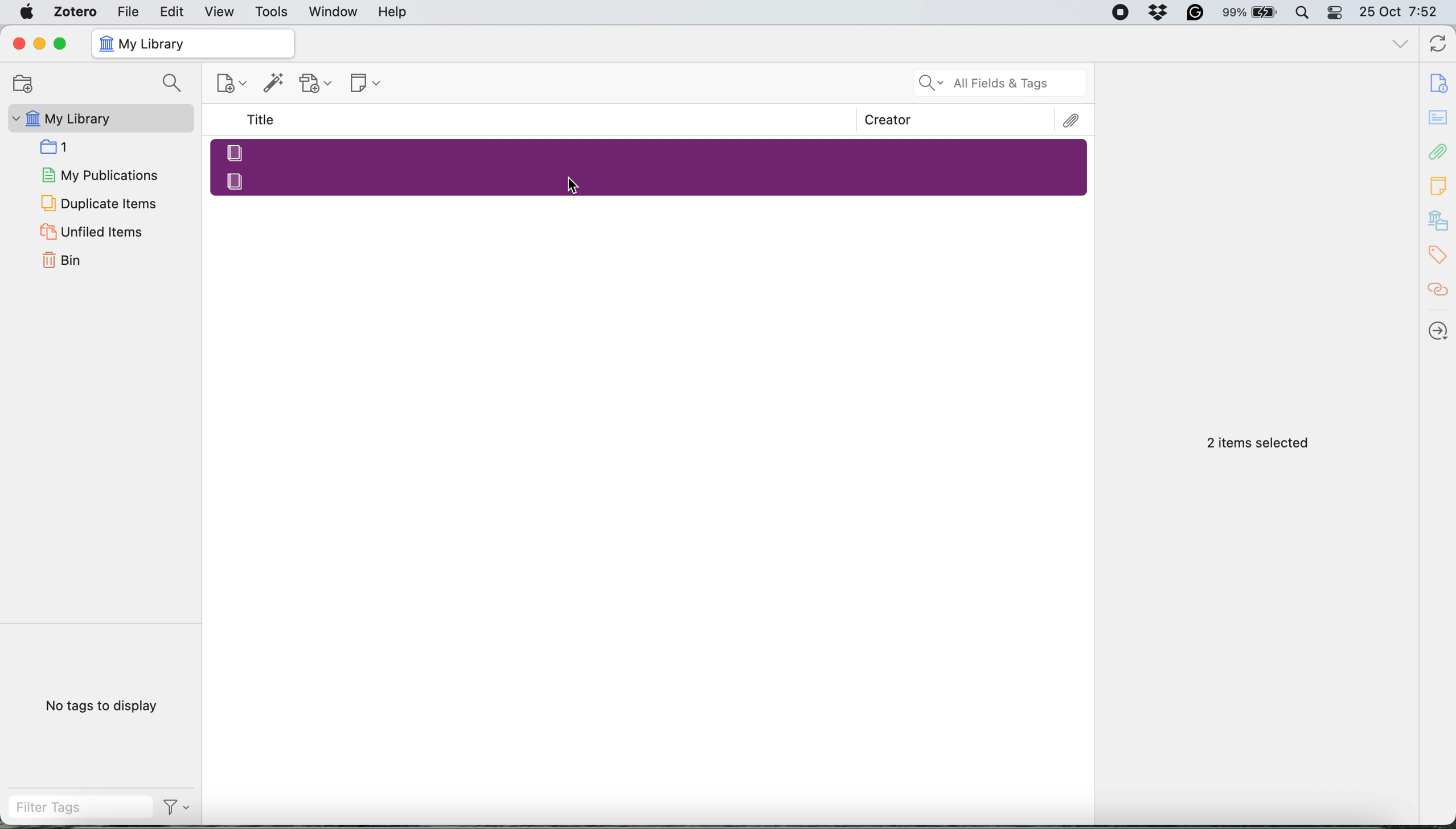 This screenshot has width=1456, height=829. I want to click on My Library, so click(192, 44).